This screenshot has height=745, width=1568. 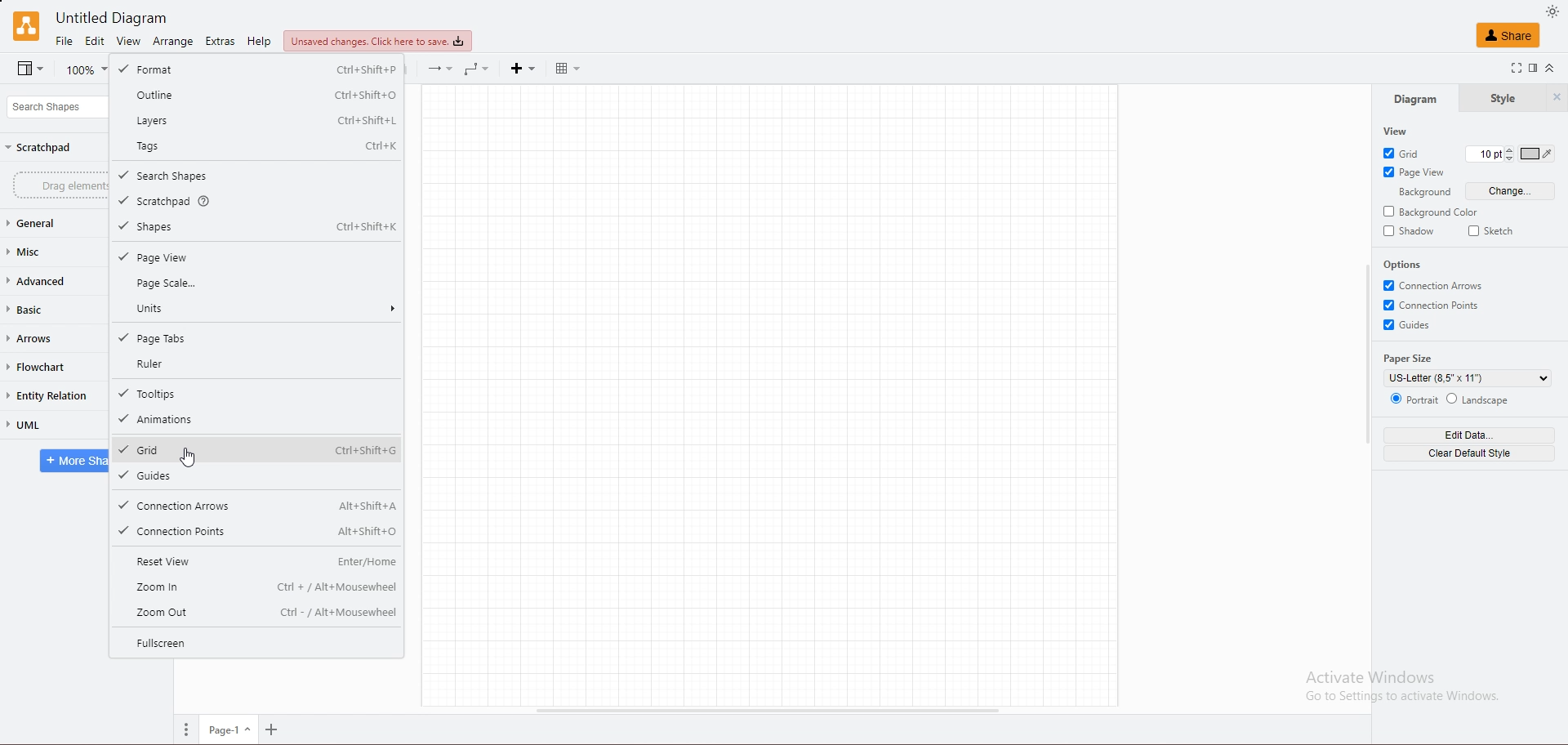 What do you see at coordinates (255, 339) in the screenshot?
I see `page tabs` at bounding box center [255, 339].